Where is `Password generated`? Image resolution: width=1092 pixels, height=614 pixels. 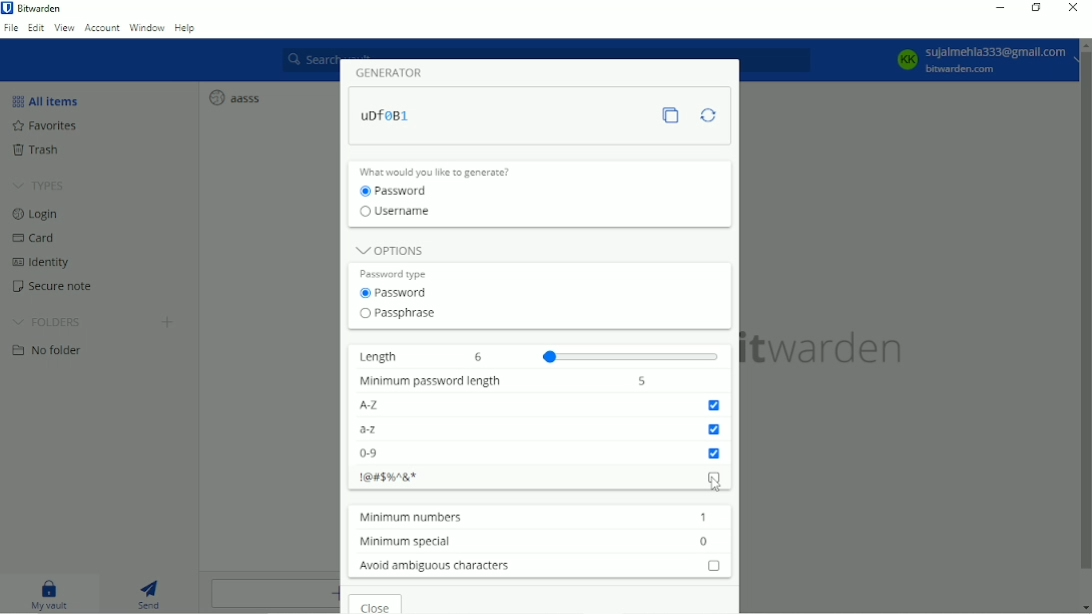 Password generated is located at coordinates (394, 113).